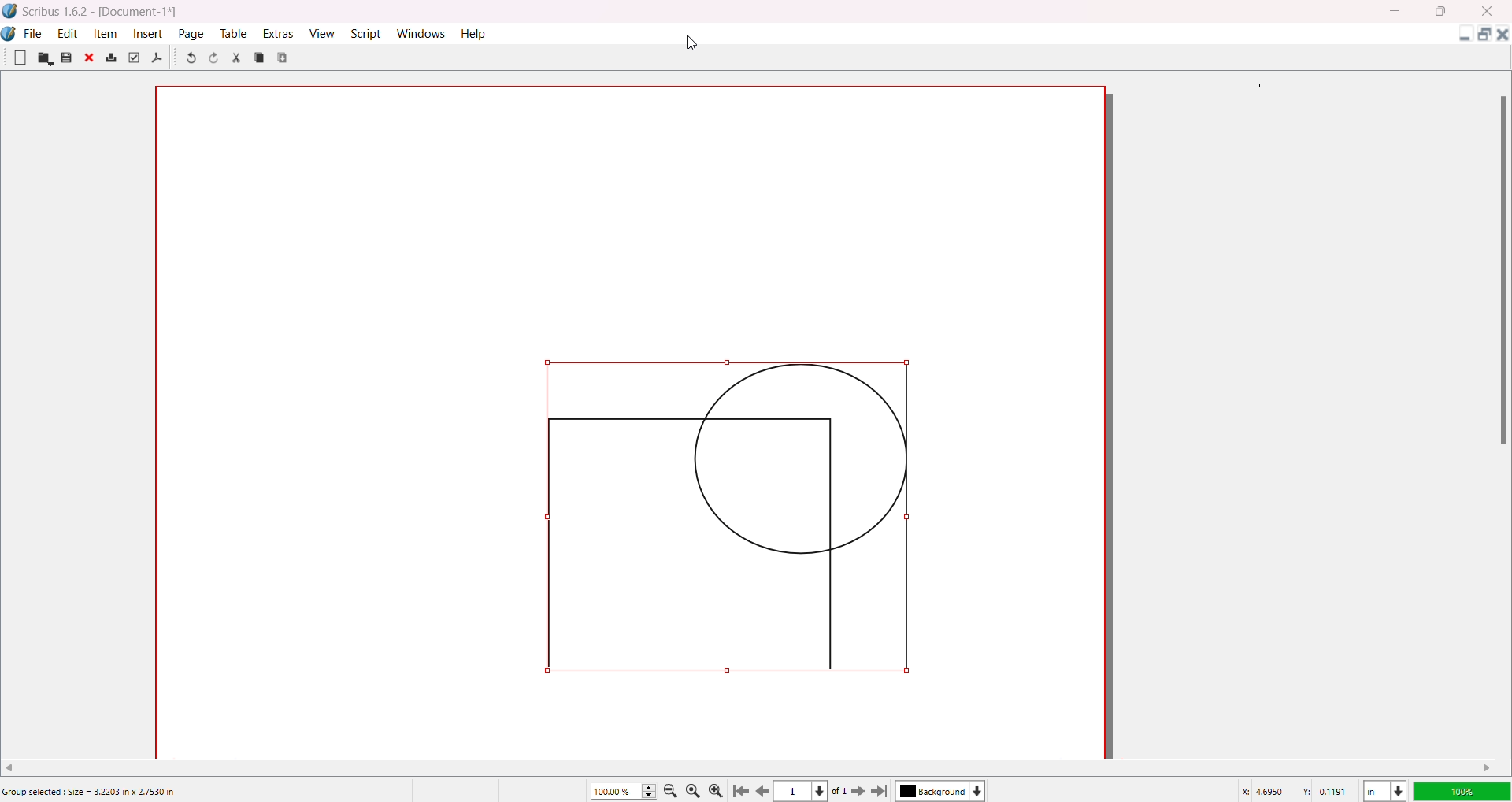 The width and height of the screenshot is (1512, 802). Describe the element at coordinates (475, 33) in the screenshot. I see `Help` at that location.